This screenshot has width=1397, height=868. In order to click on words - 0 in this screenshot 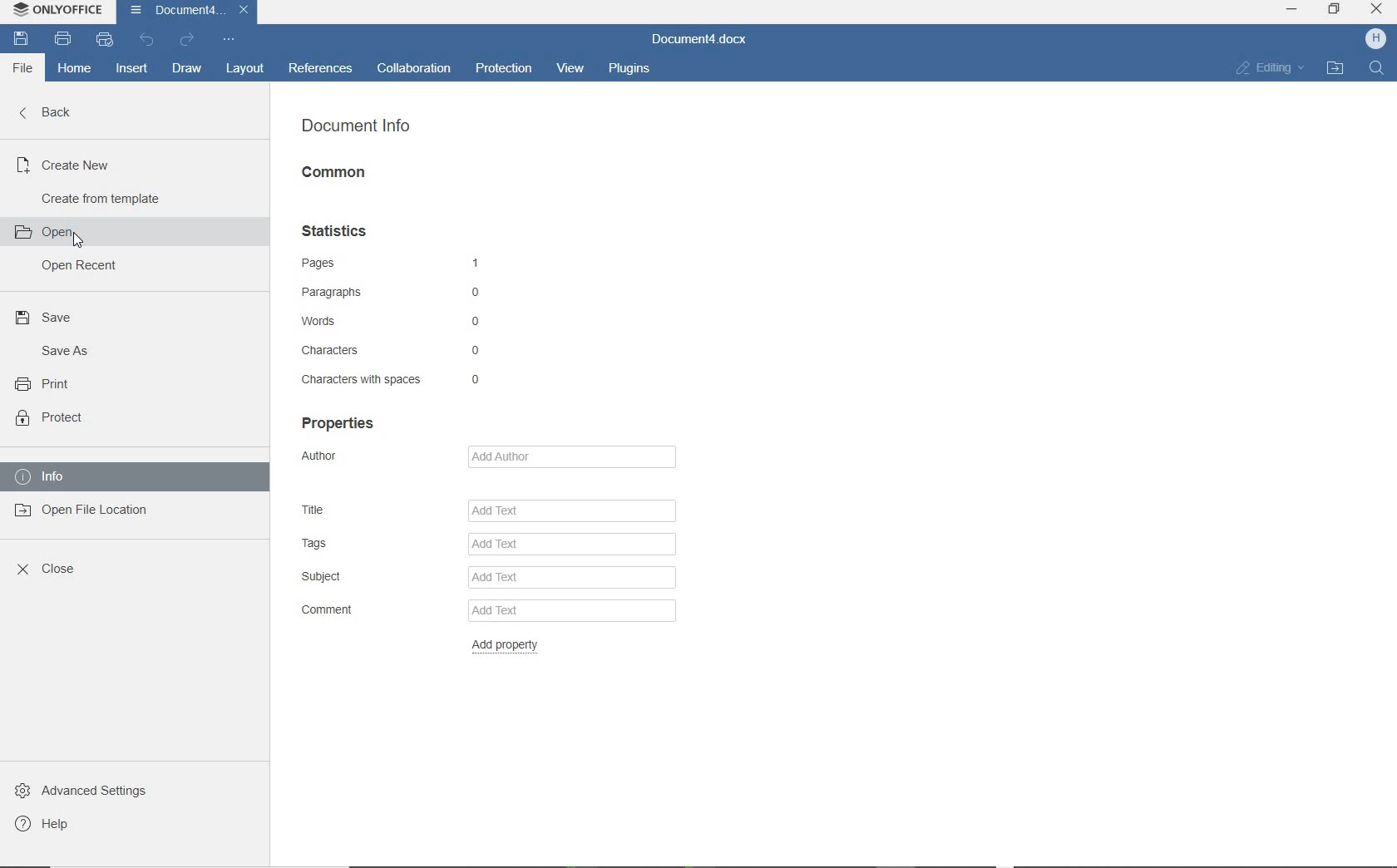, I will do `click(398, 321)`.